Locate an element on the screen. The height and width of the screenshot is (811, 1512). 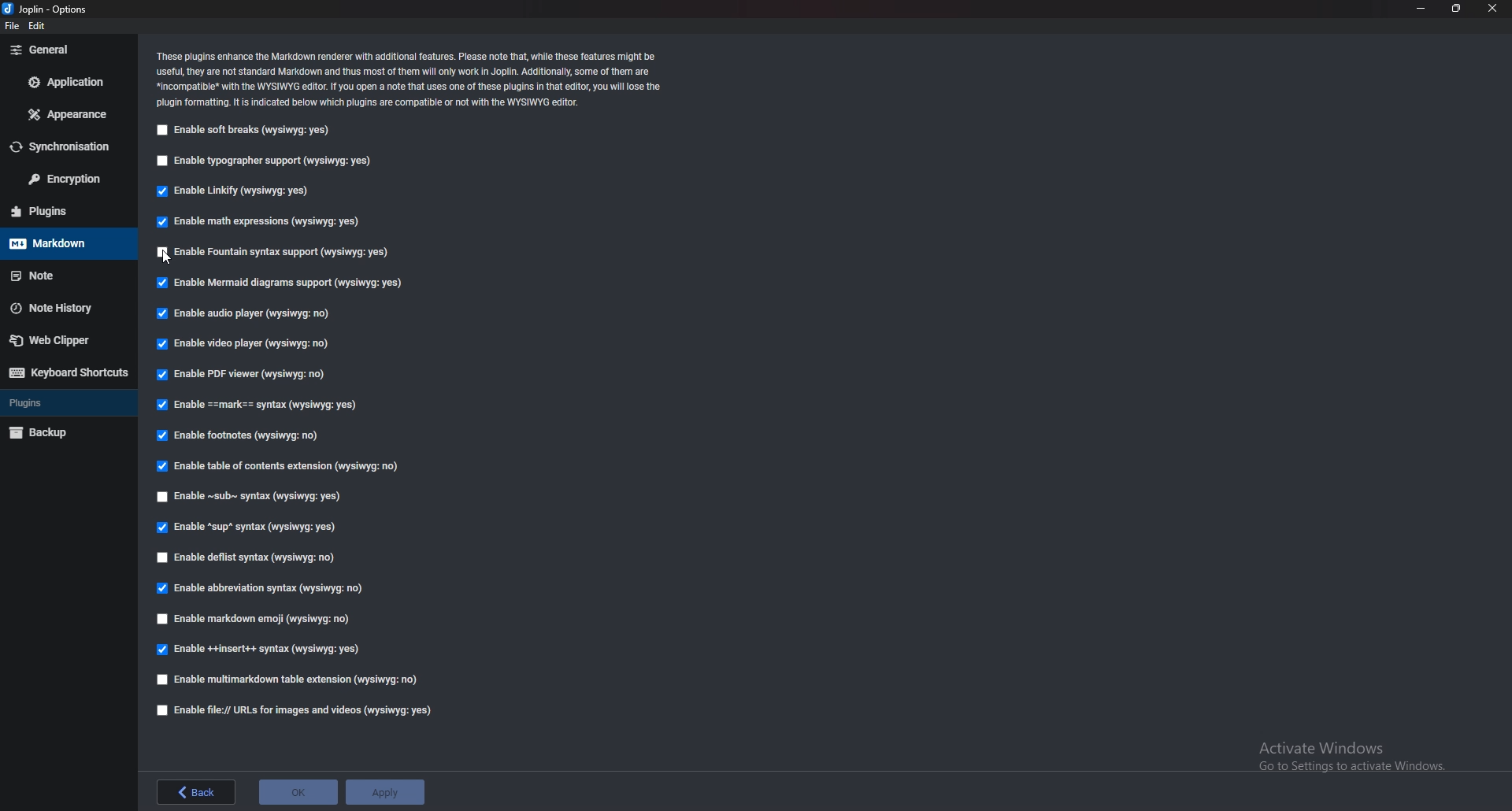
Keyboard shortcuts is located at coordinates (67, 372).